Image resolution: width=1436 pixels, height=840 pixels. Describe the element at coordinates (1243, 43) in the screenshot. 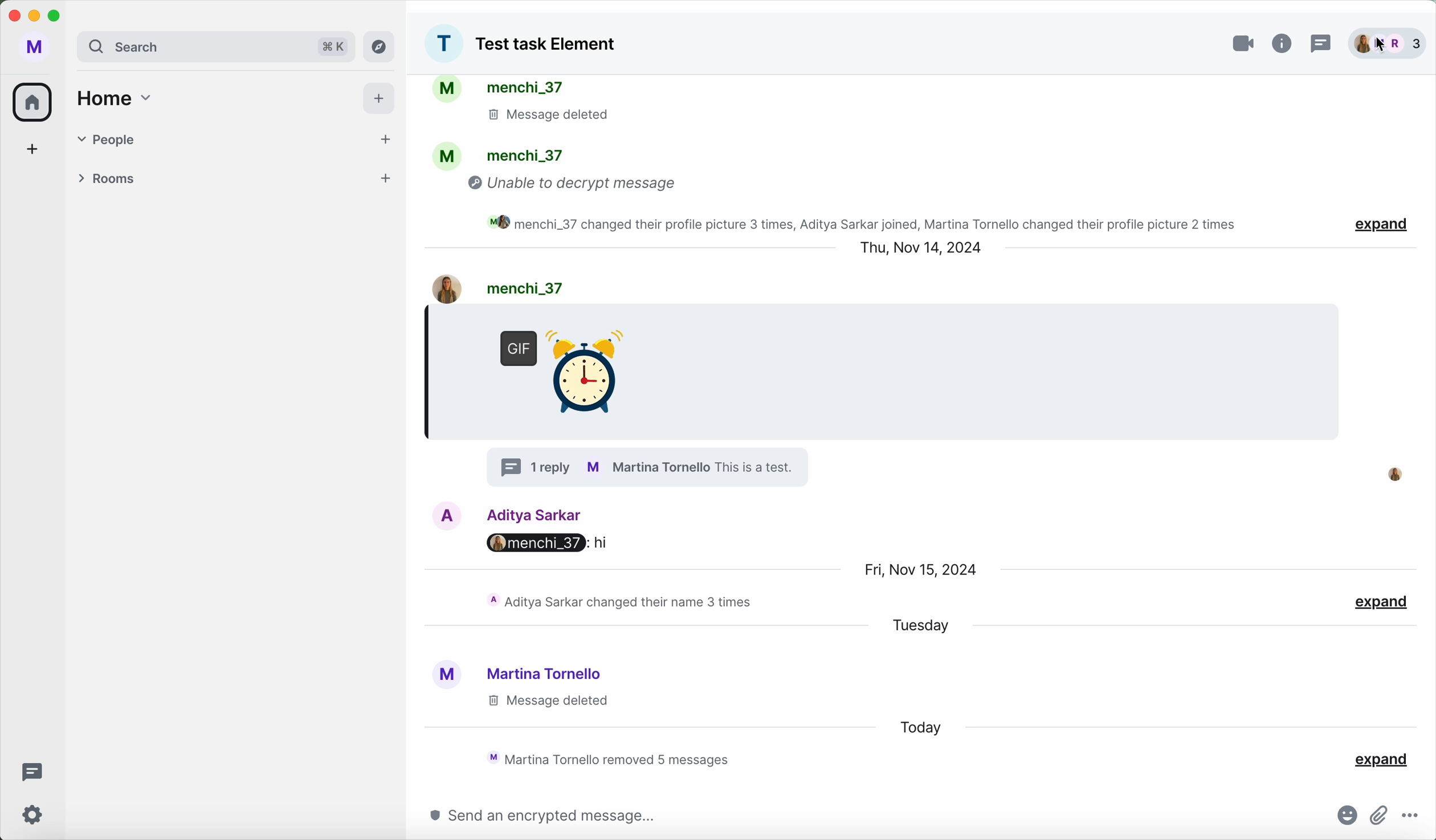

I see `video call` at that location.